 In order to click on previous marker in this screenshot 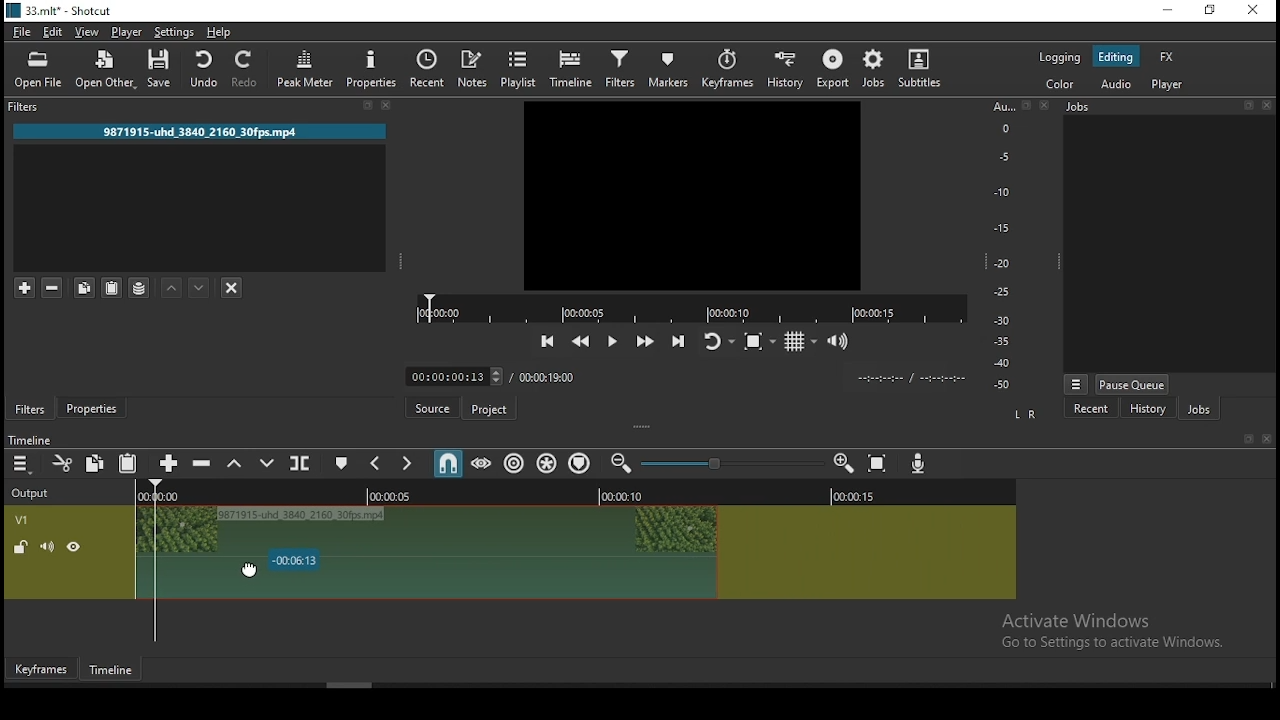, I will do `click(379, 461)`.